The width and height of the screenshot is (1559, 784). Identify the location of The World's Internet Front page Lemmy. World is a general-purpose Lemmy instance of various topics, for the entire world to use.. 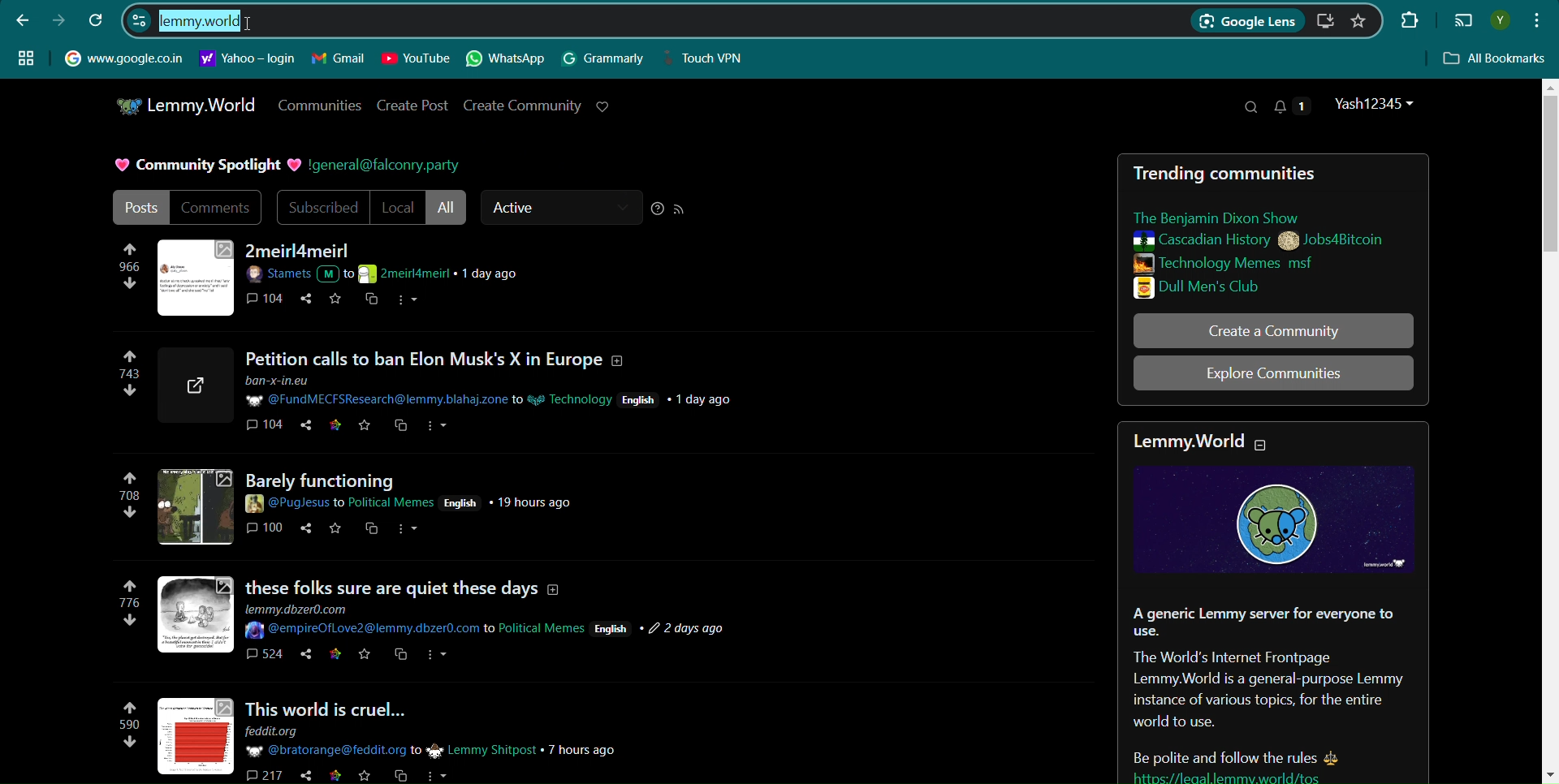
(1267, 691).